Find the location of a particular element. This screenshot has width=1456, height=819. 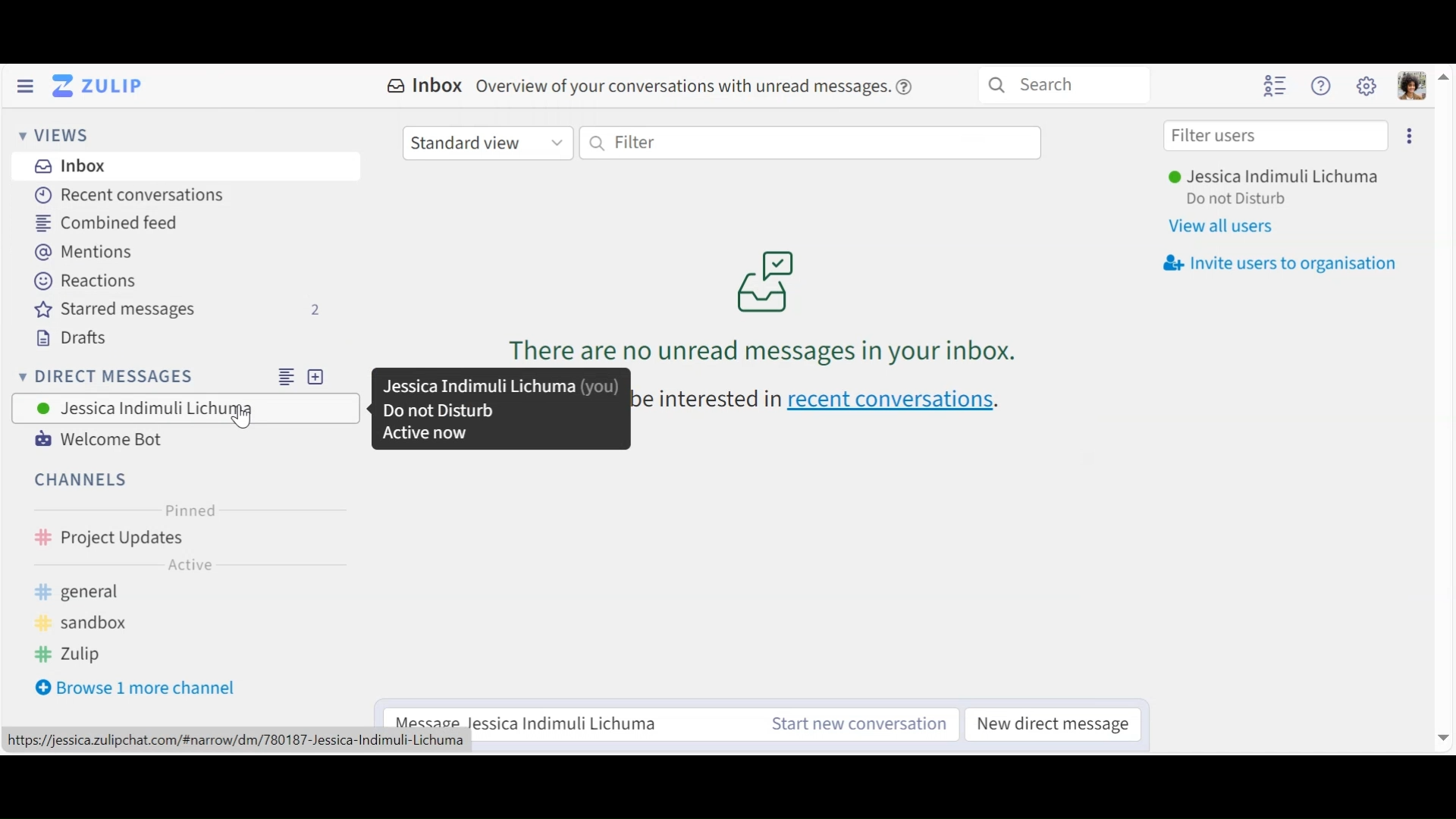

sandbox is located at coordinates (99, 623).